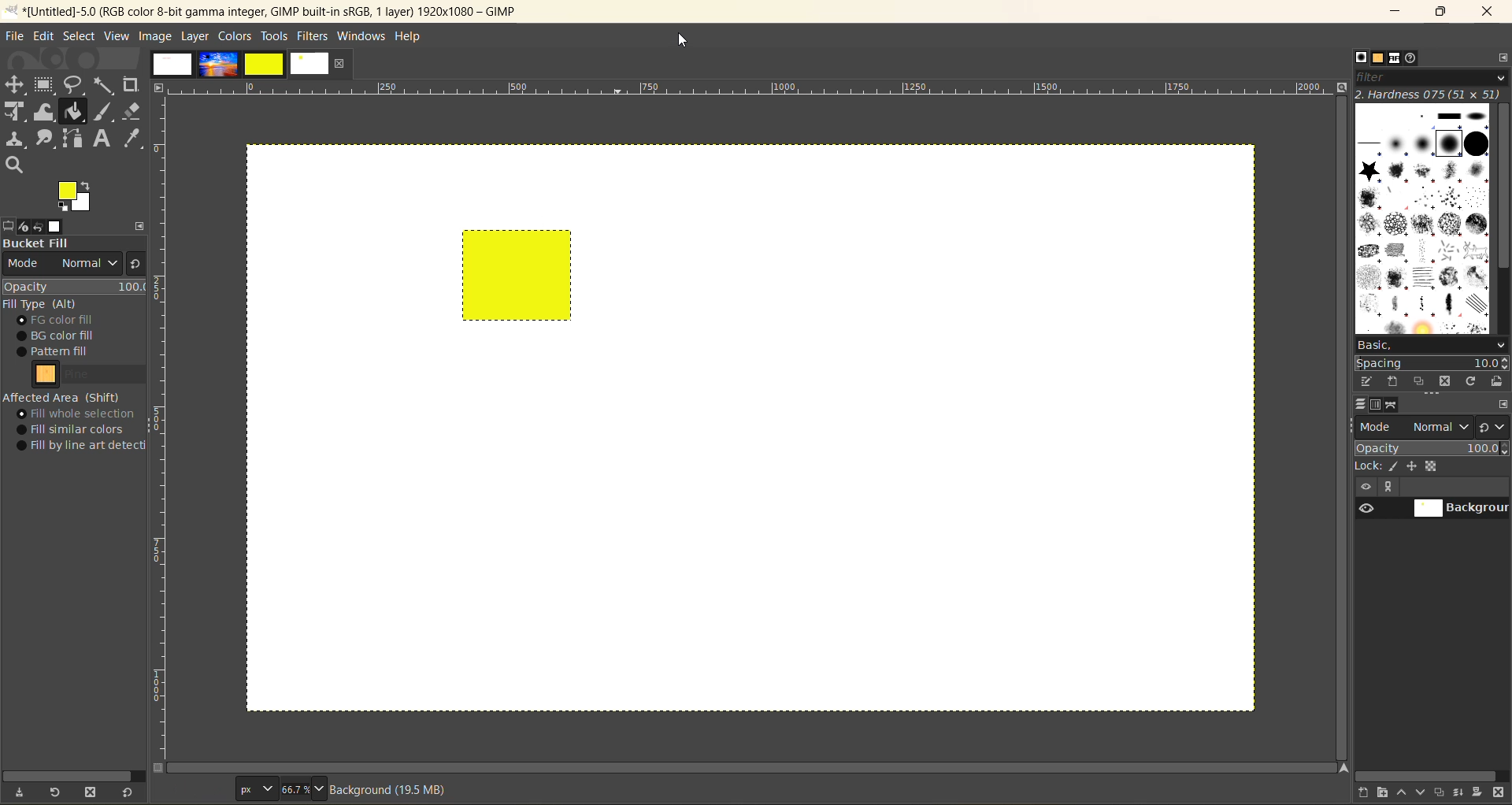  Describe the element at coordinates (754, 90) in the screenshot. I see `scale` at that location.